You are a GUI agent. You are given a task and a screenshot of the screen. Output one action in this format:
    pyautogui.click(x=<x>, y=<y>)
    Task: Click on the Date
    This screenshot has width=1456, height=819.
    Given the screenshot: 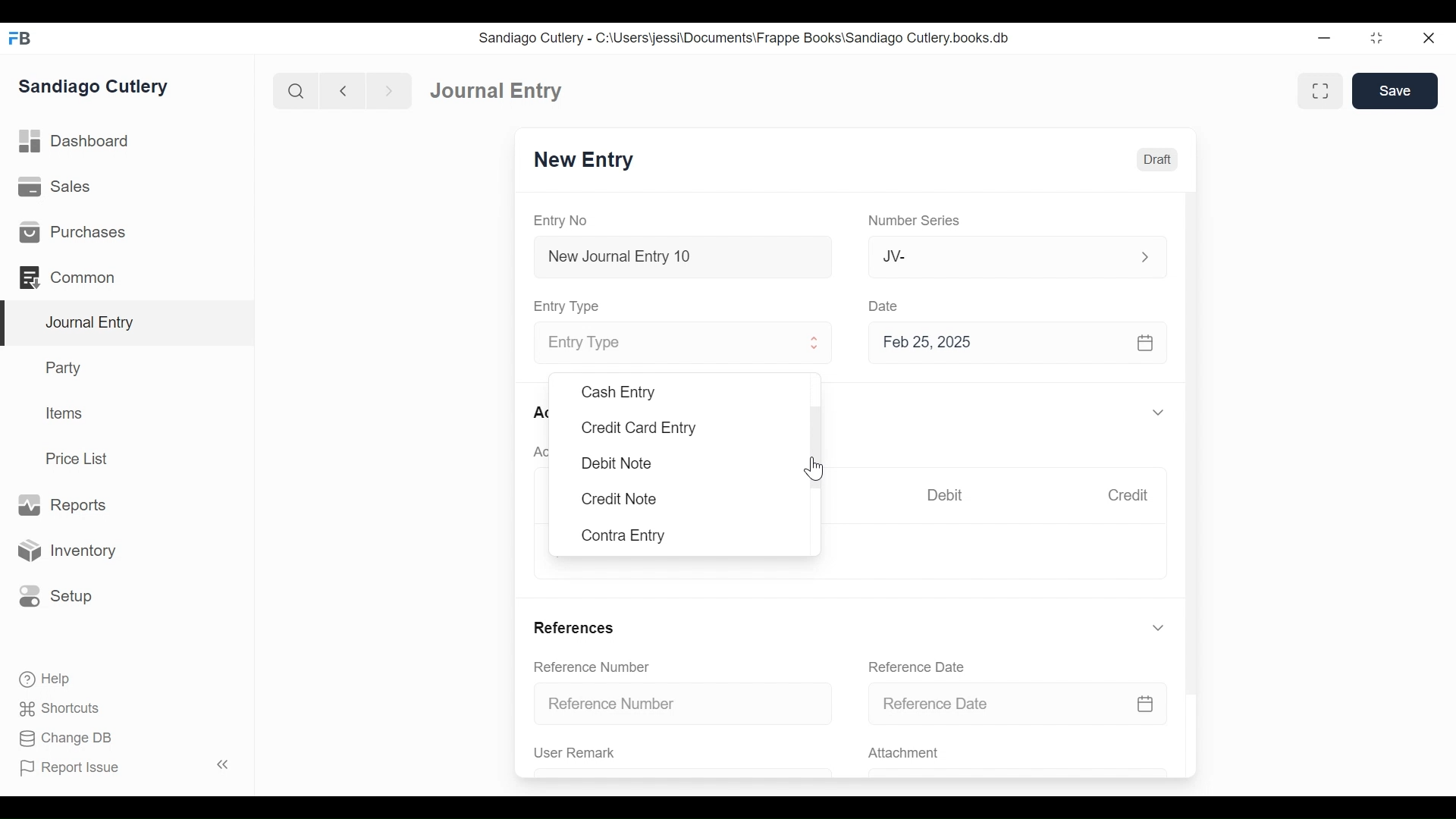 What is the action you would take?
    pyautogui.click(x=886, y=306)
    